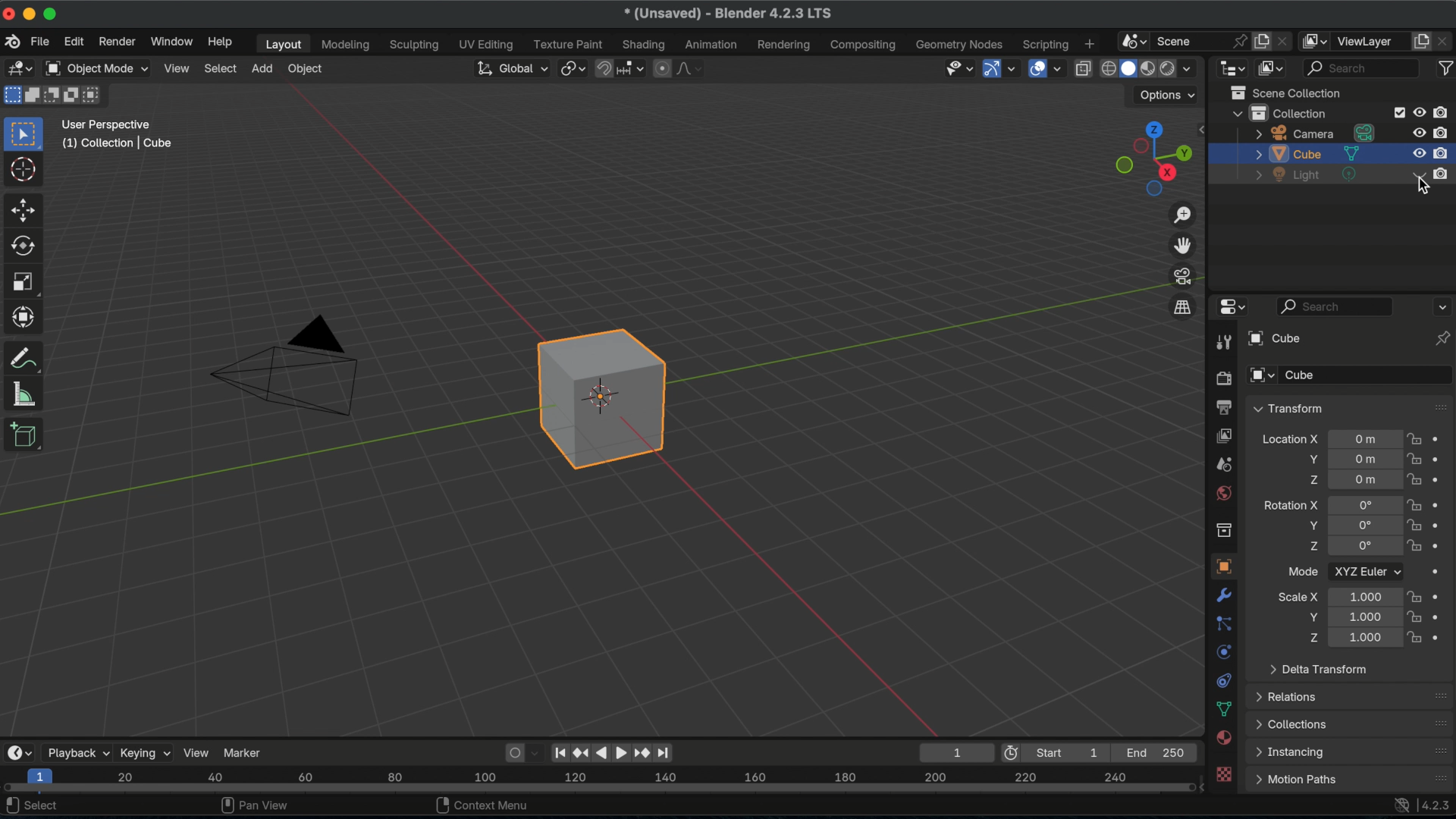 This screenshot has height=819, width=1456. I want to click on delectability and visibility, so click(957, 67).